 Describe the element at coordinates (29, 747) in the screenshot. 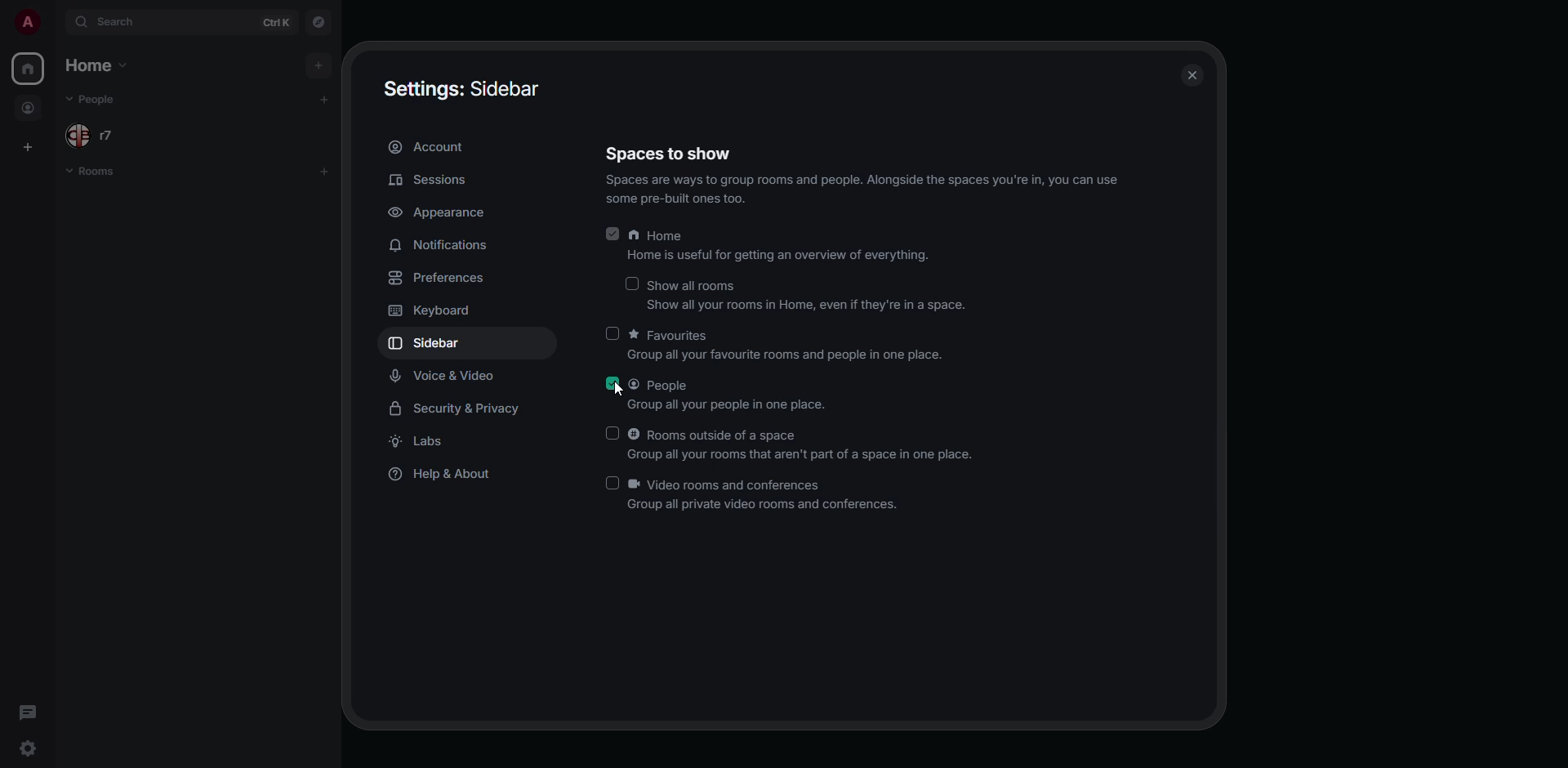

I see `quick settings` at that location.